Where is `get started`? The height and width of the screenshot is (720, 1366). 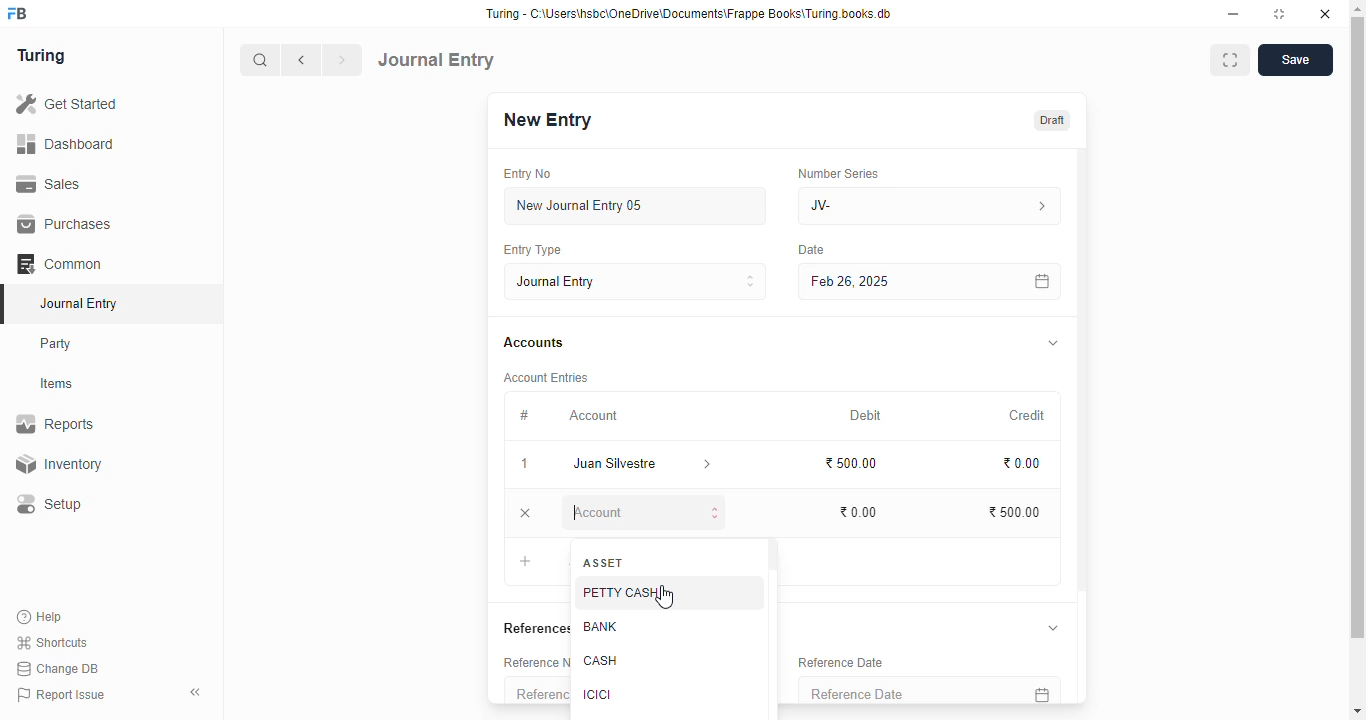
get started is located at coordinates (68, 104).